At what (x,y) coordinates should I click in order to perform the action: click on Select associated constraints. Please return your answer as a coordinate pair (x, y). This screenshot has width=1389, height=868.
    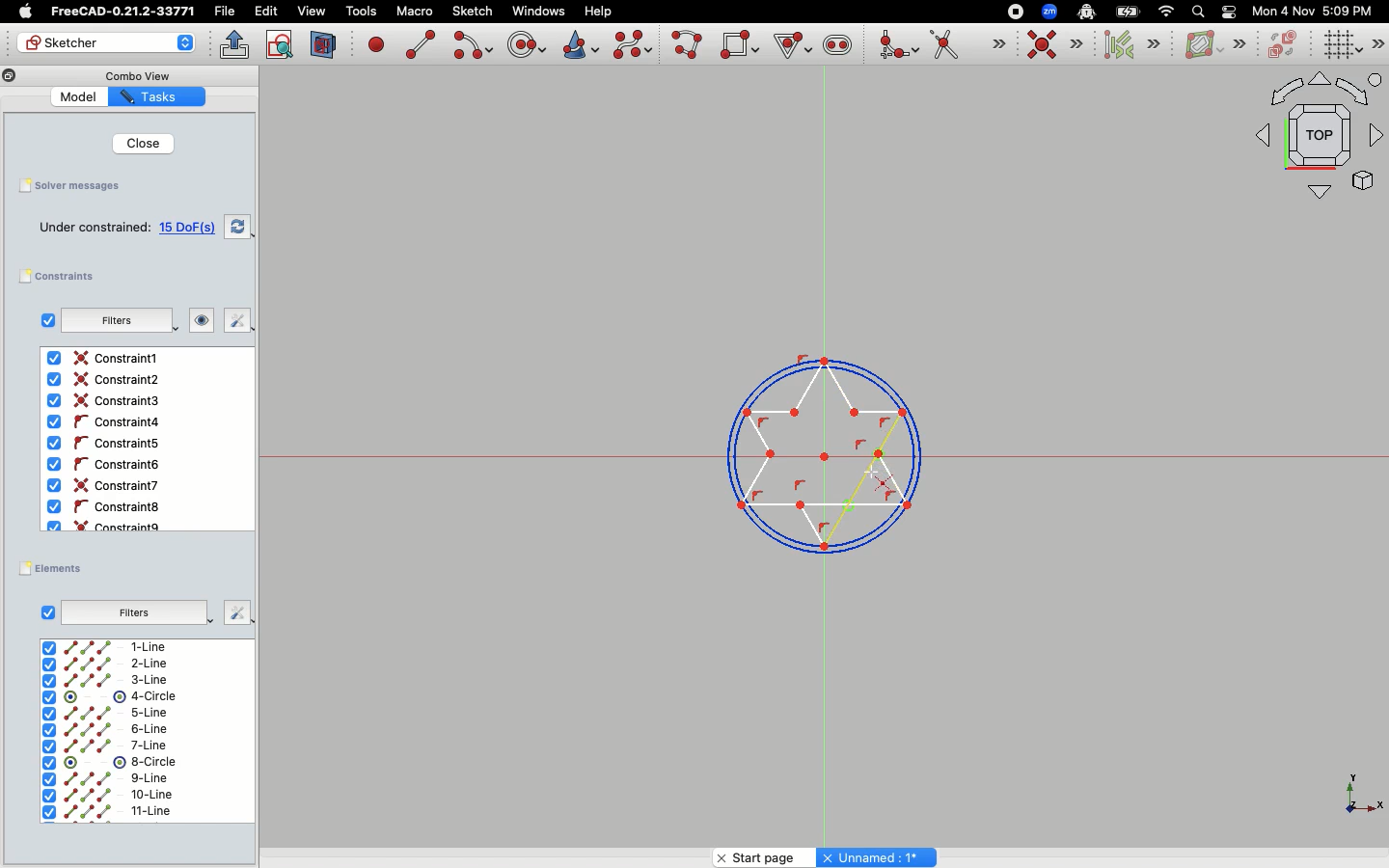
    Looking at the image, I should click on (1129, 44).